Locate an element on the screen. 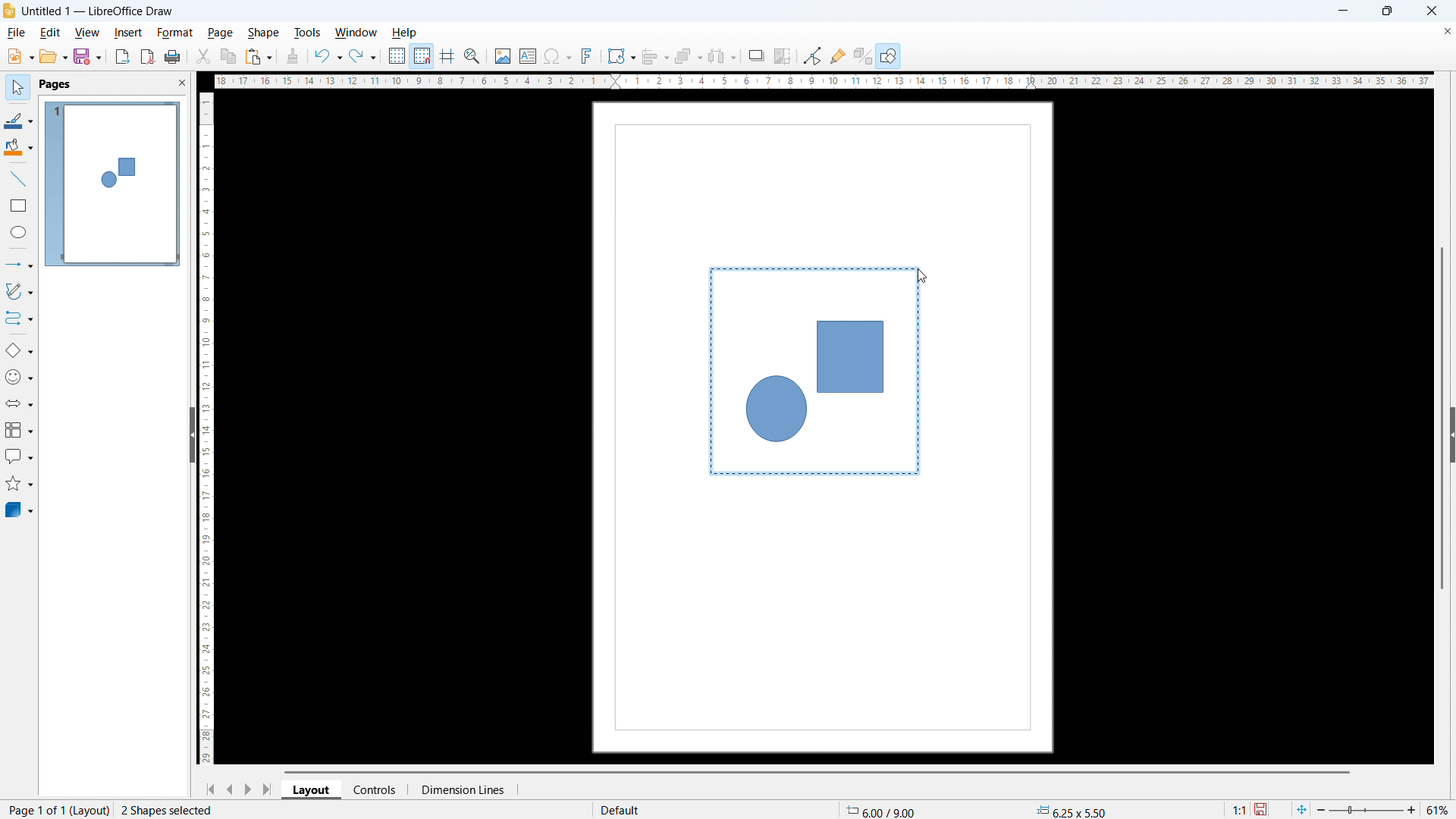  export is located at coordinates (124, 58).